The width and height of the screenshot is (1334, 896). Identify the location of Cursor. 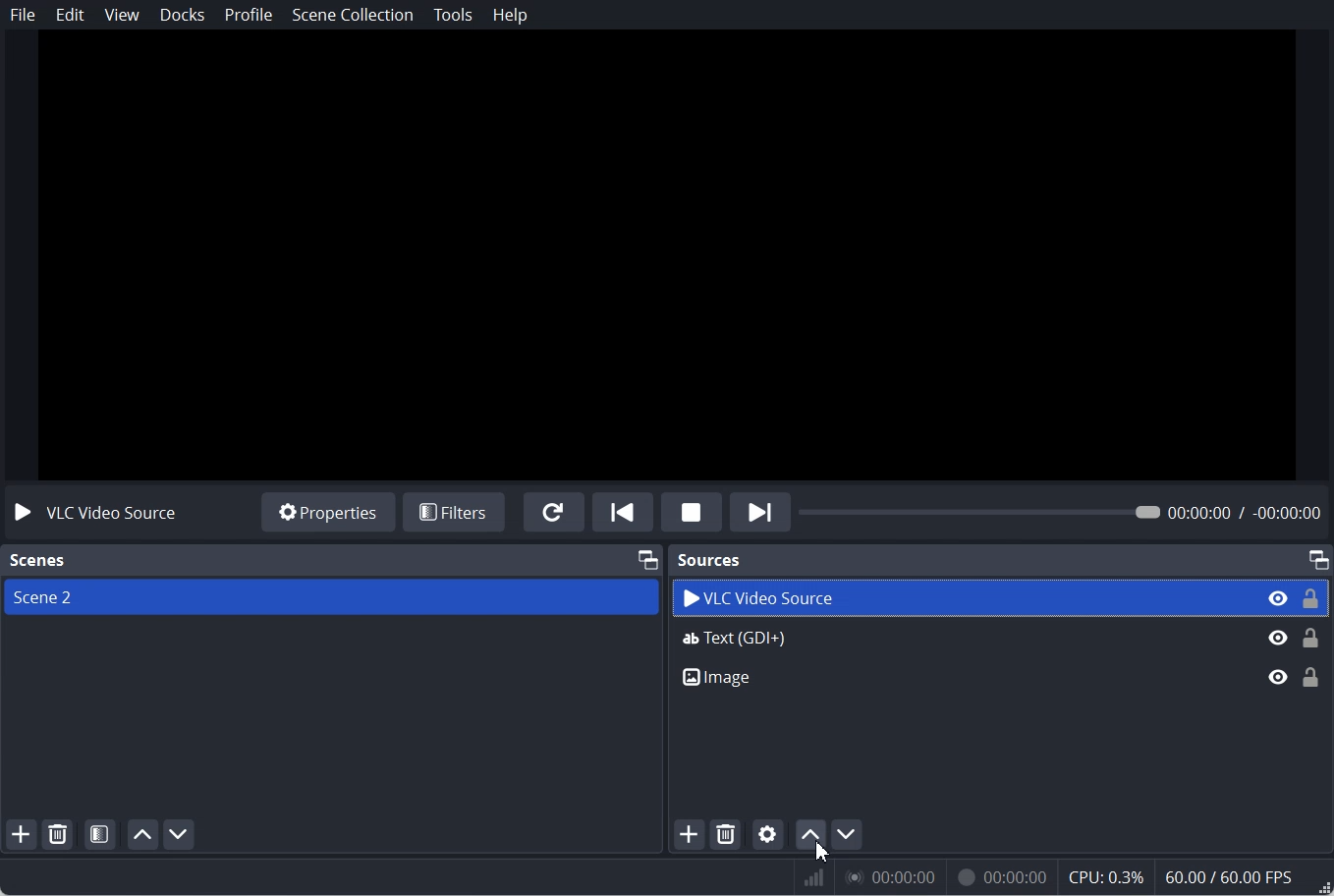
(824, 850).